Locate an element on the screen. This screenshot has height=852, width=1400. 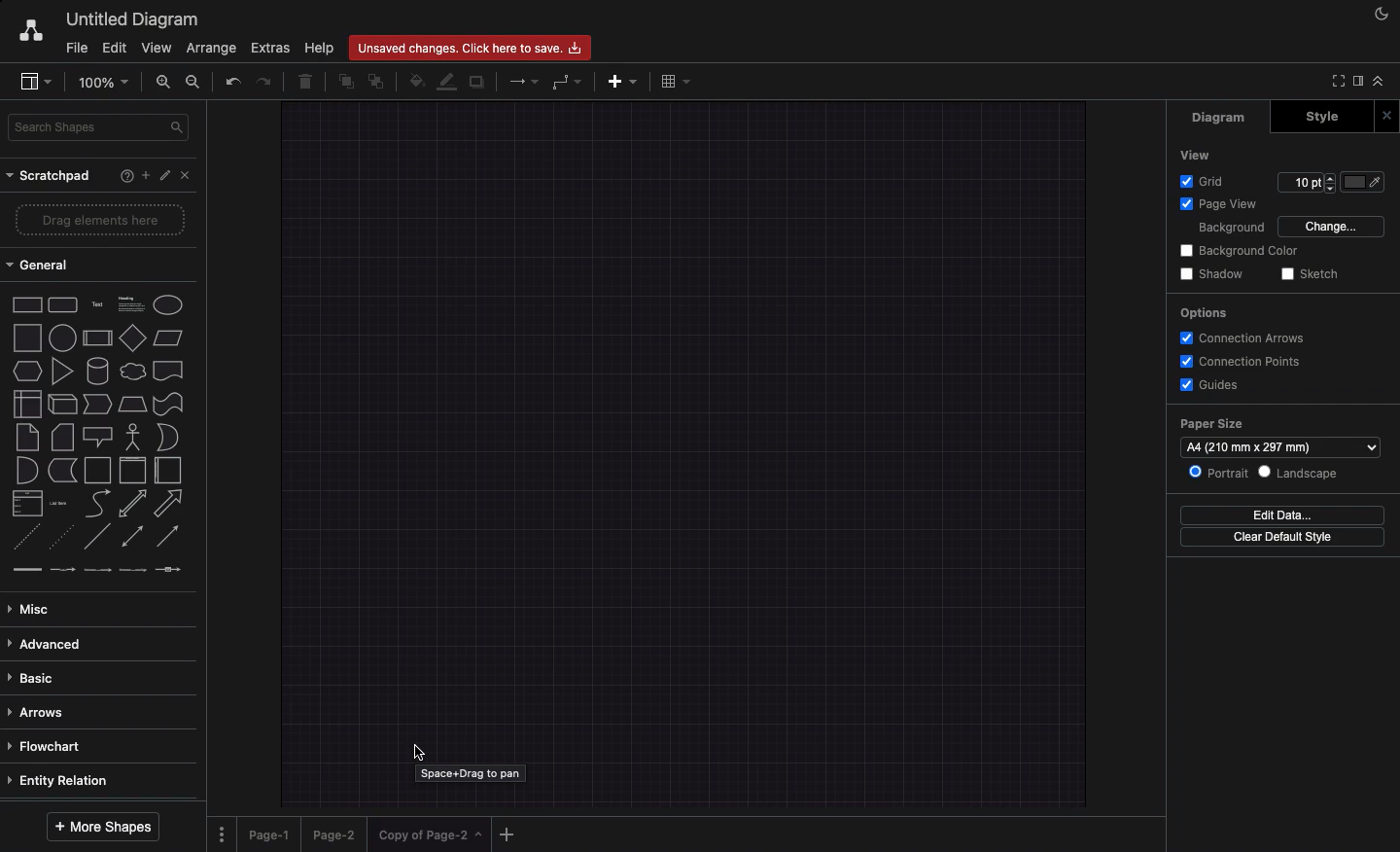
More shapes is located at coordinates (102, 829).